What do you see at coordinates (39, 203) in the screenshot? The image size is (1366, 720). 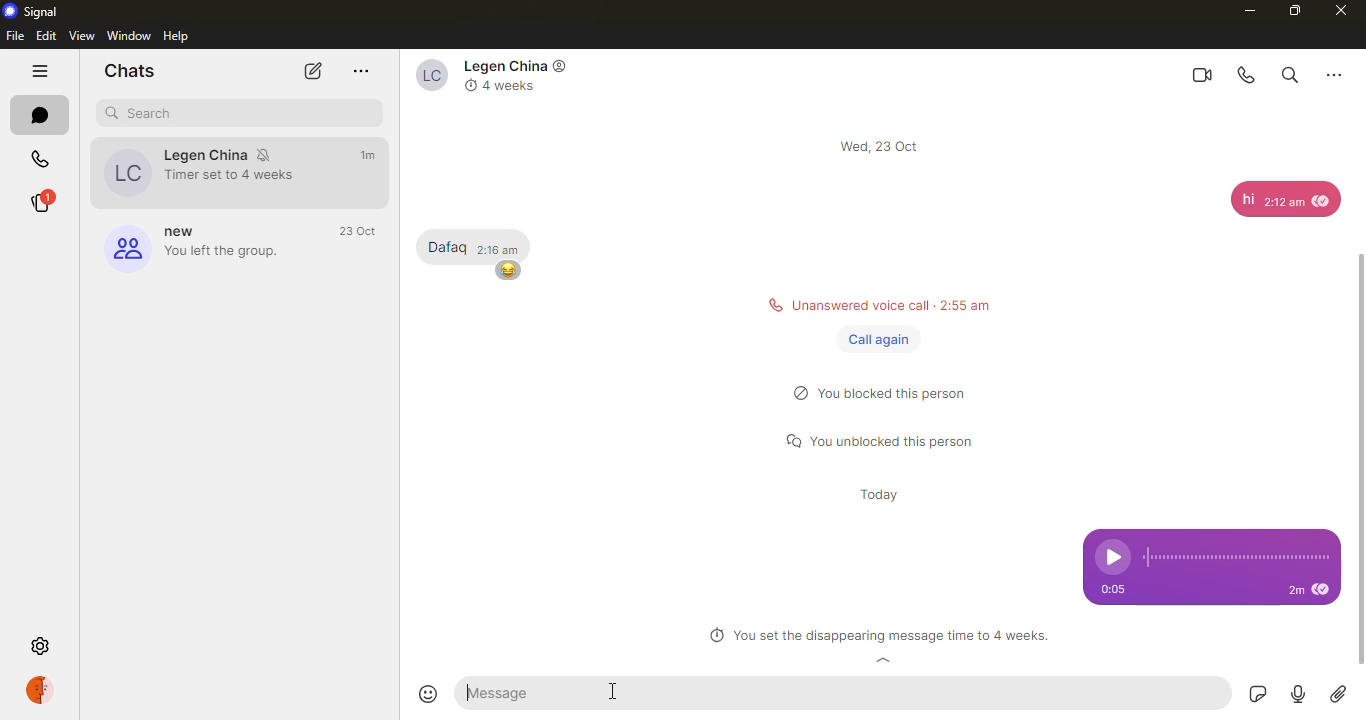 I see `stories` at bounding box center [39, 203].